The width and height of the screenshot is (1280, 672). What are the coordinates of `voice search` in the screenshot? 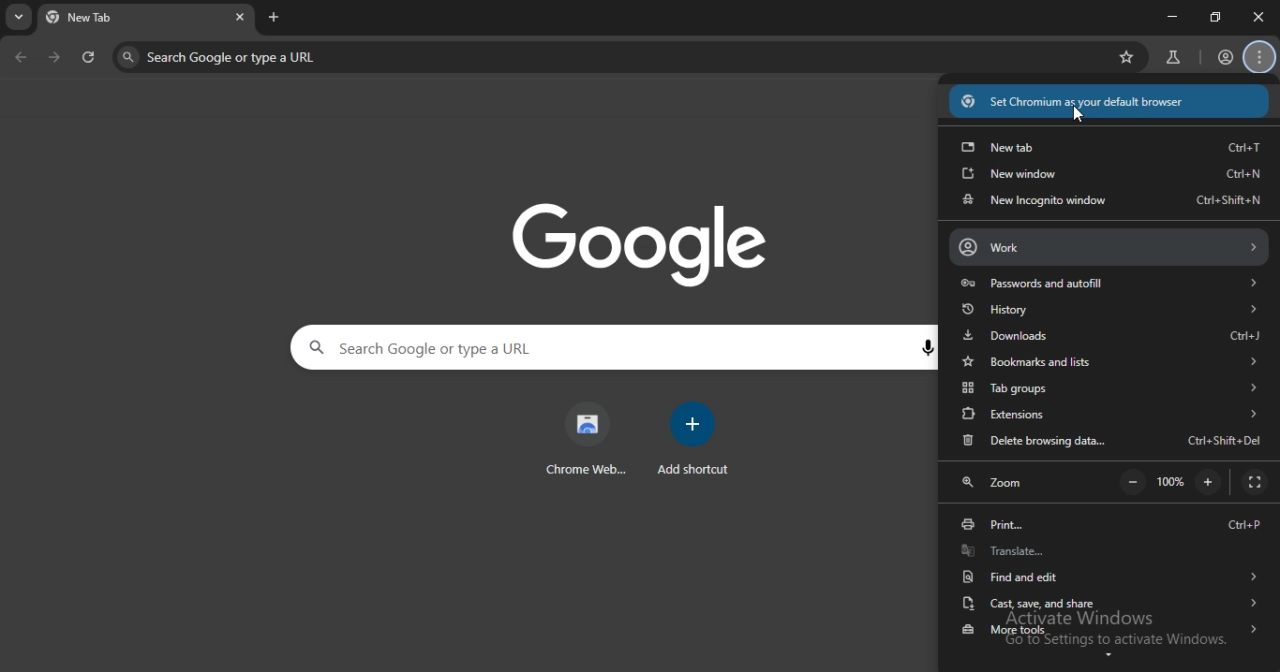 It's located at (925, 347).